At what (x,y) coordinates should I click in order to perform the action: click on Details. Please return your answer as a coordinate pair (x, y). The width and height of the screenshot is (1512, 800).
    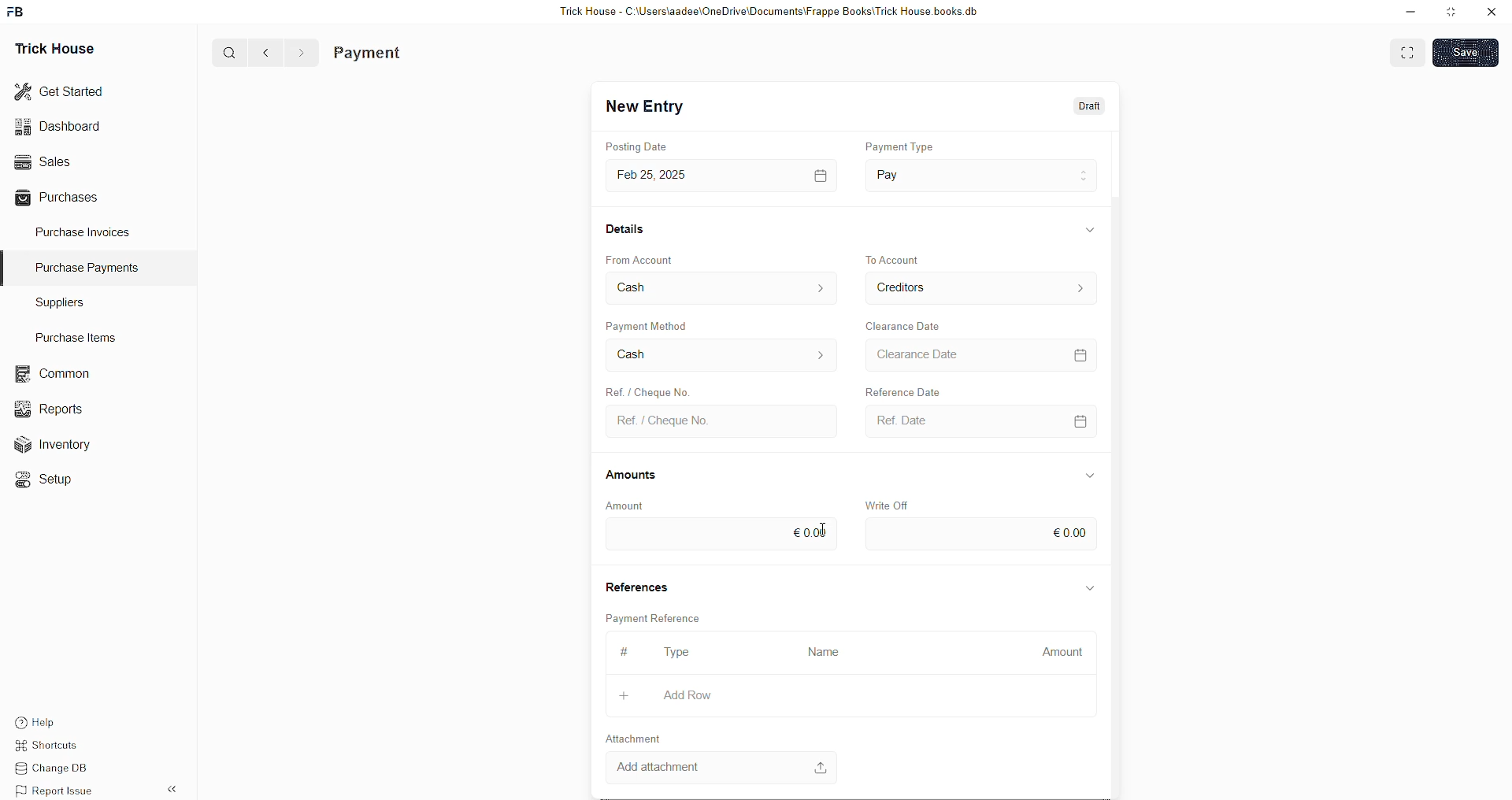
    Looking at the image, I should click on (621, 231).